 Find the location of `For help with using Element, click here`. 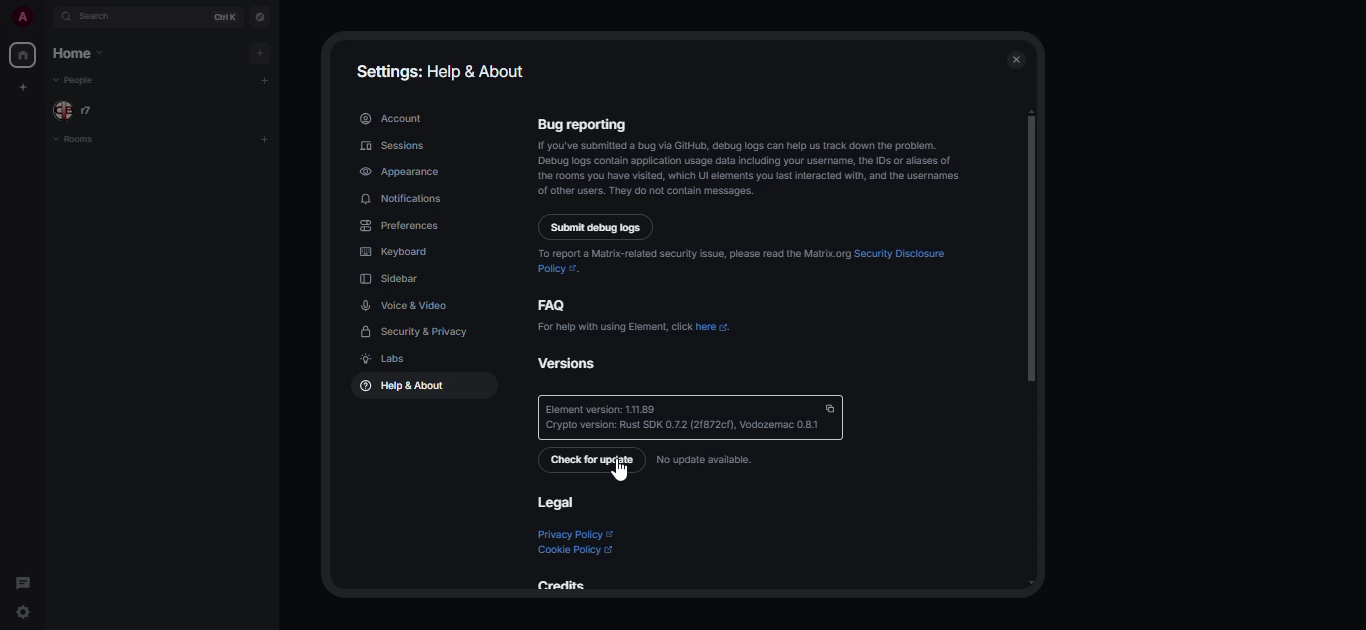

For help with using Element, click here is located at coordinates (663, 327).